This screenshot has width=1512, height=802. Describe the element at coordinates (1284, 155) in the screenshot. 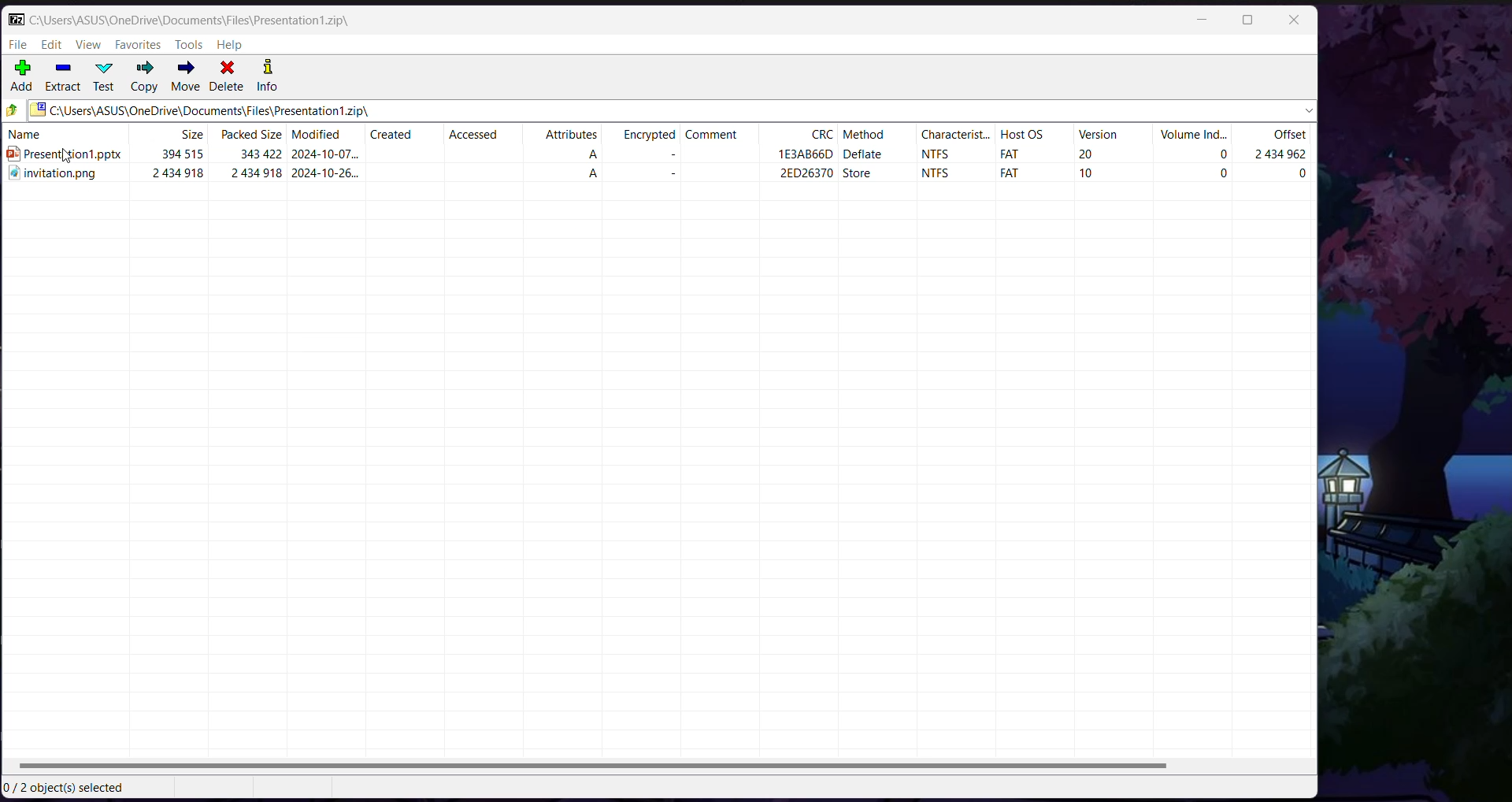

I see ` 24545902` at that location.